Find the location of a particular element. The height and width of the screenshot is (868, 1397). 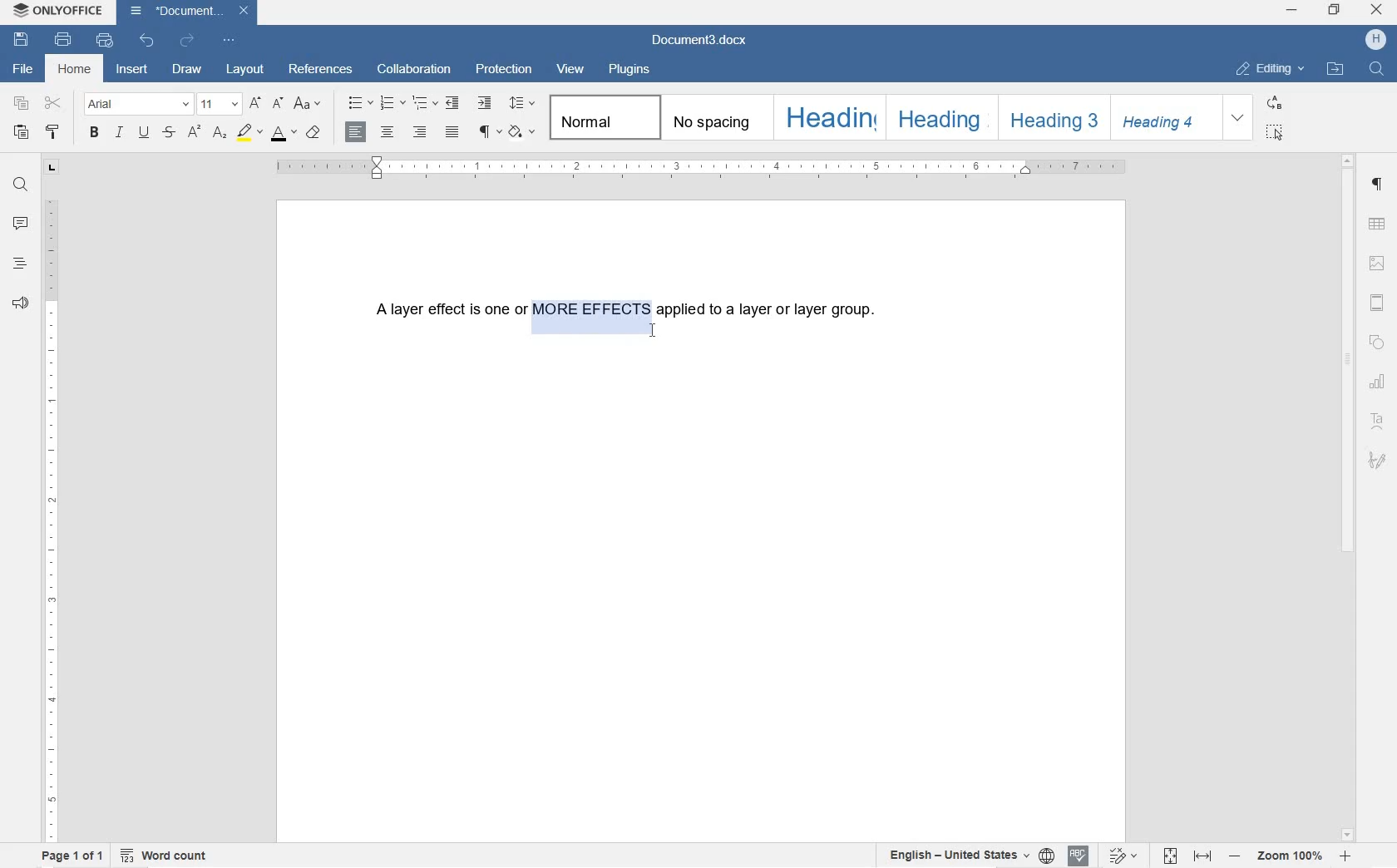

IMAGE is located at coordinates (1380, 264).